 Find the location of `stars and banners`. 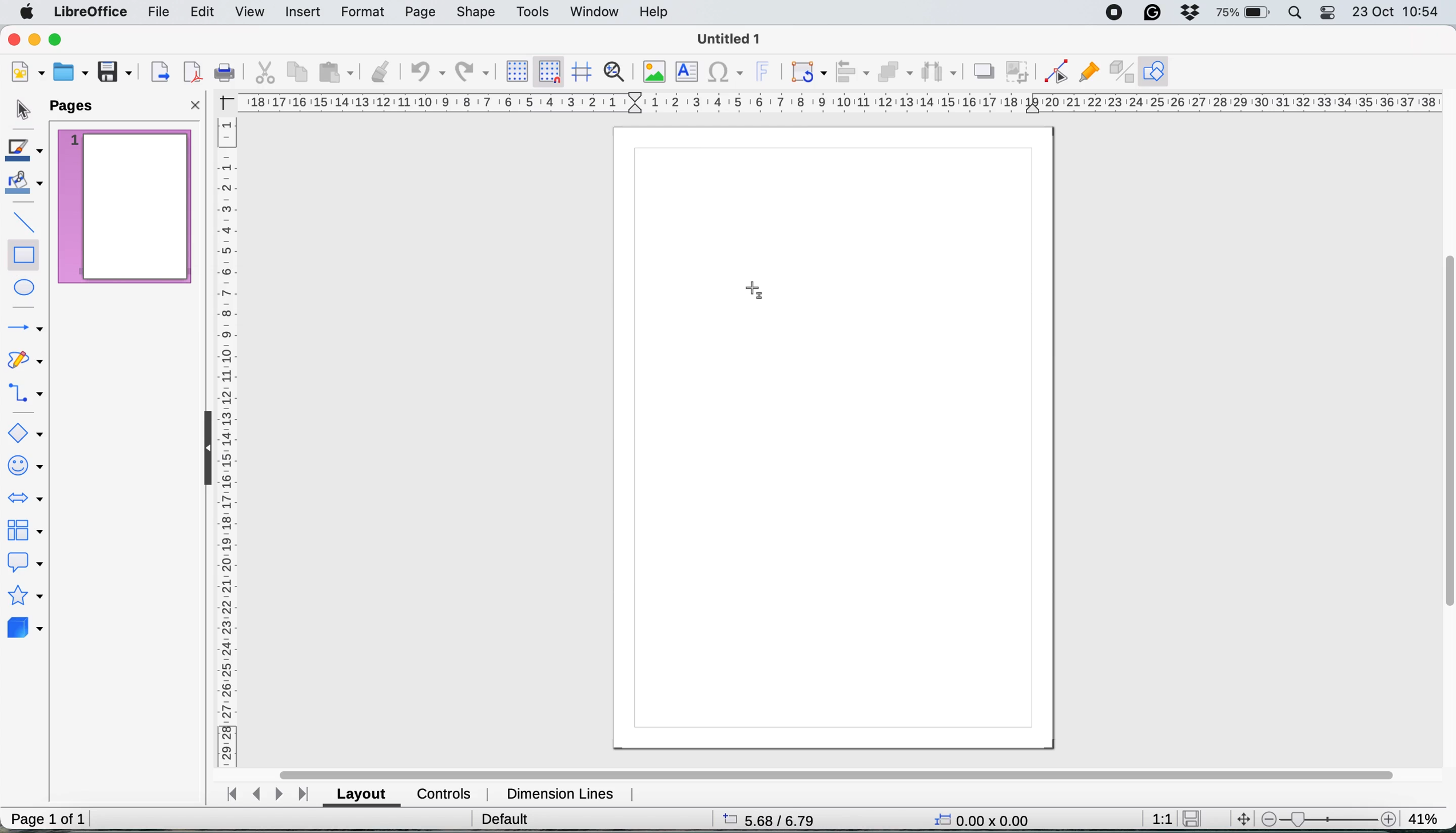

stars and banners is located at coordinates (25, 597).